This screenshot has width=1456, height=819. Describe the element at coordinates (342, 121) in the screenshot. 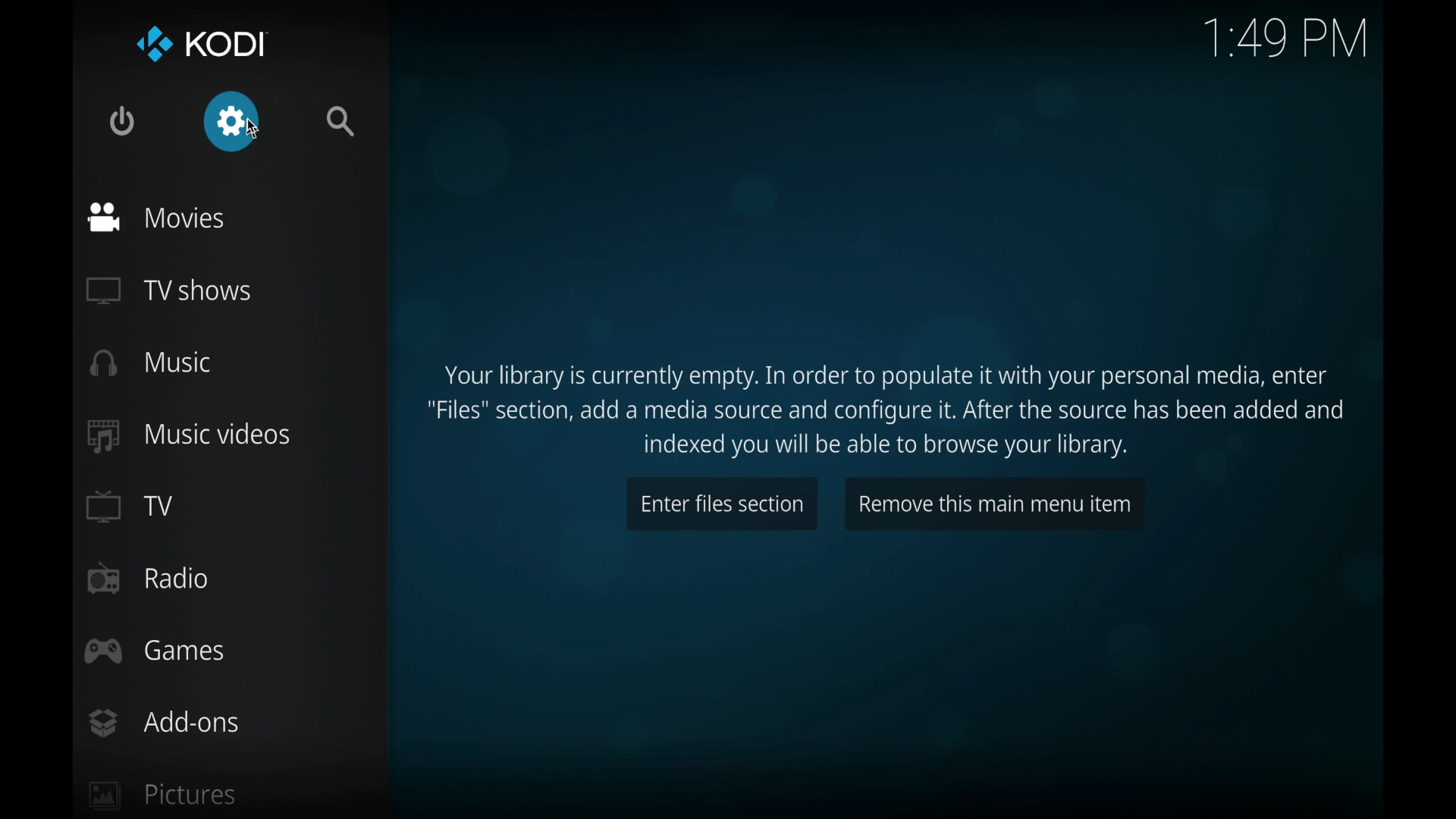

I see `search` at that location.